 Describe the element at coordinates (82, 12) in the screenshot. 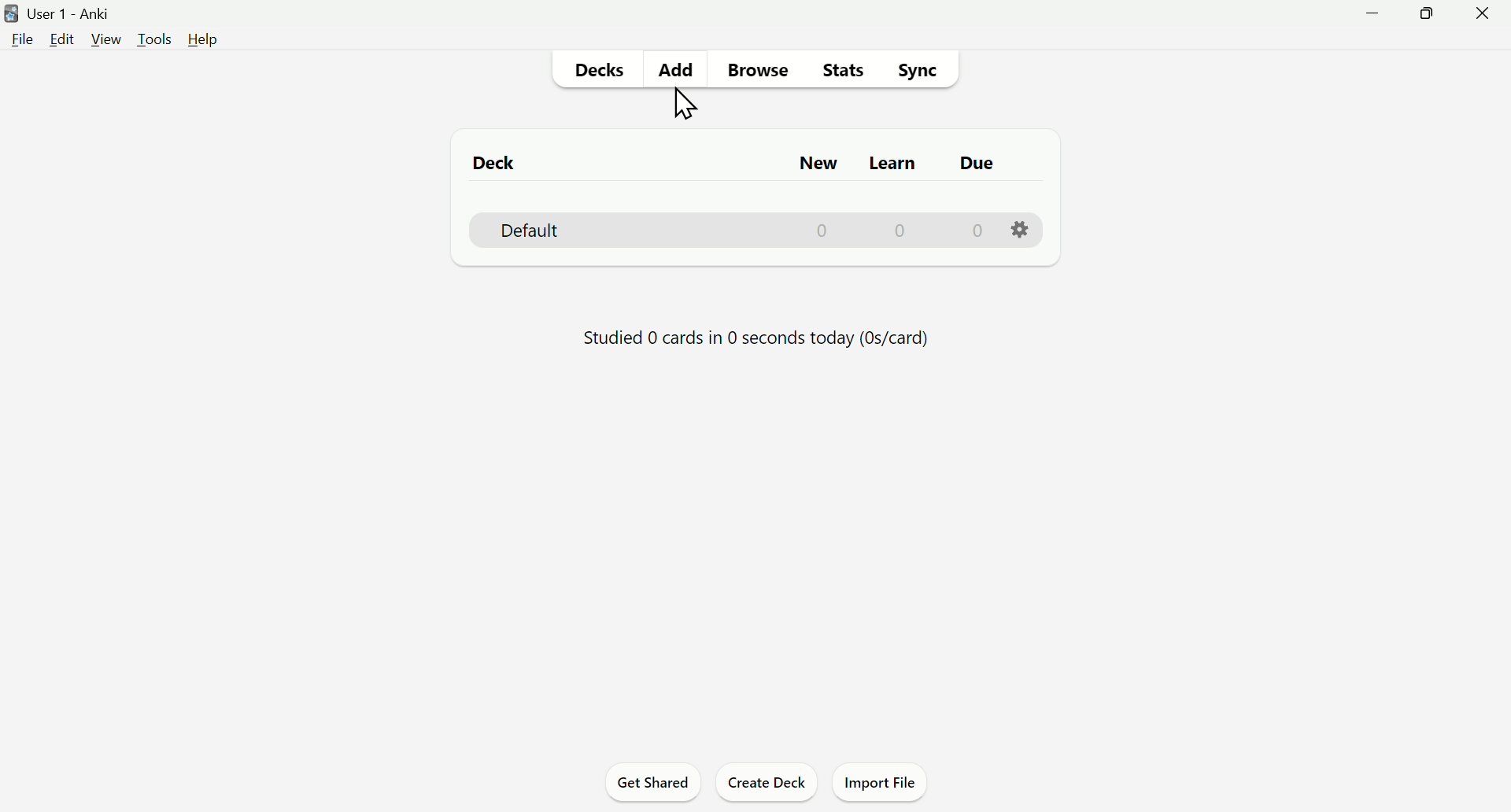

I see `User 1 - Anki` at that location.